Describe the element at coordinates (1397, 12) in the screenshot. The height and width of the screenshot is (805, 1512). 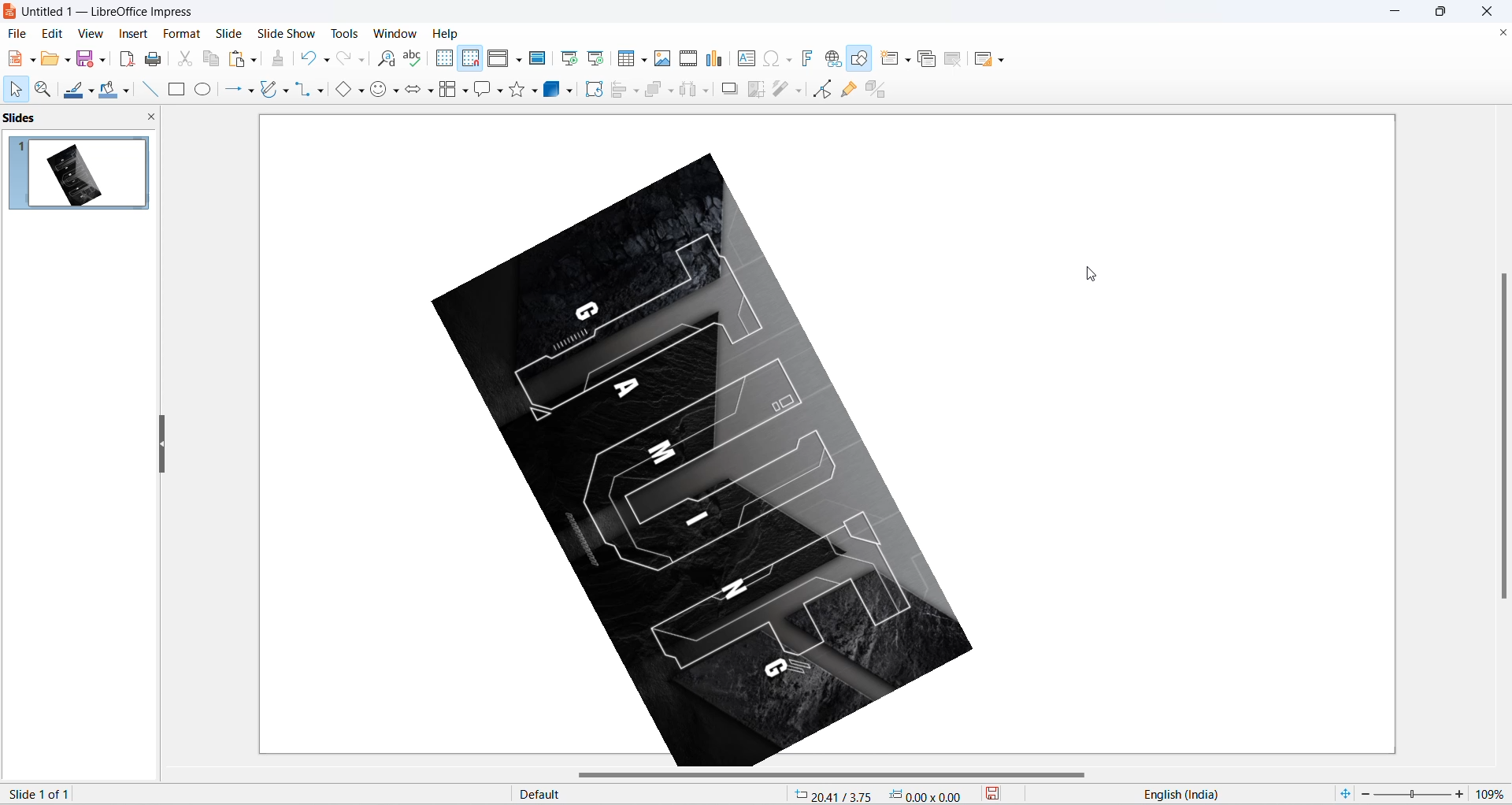
I see `minimize` at that location.